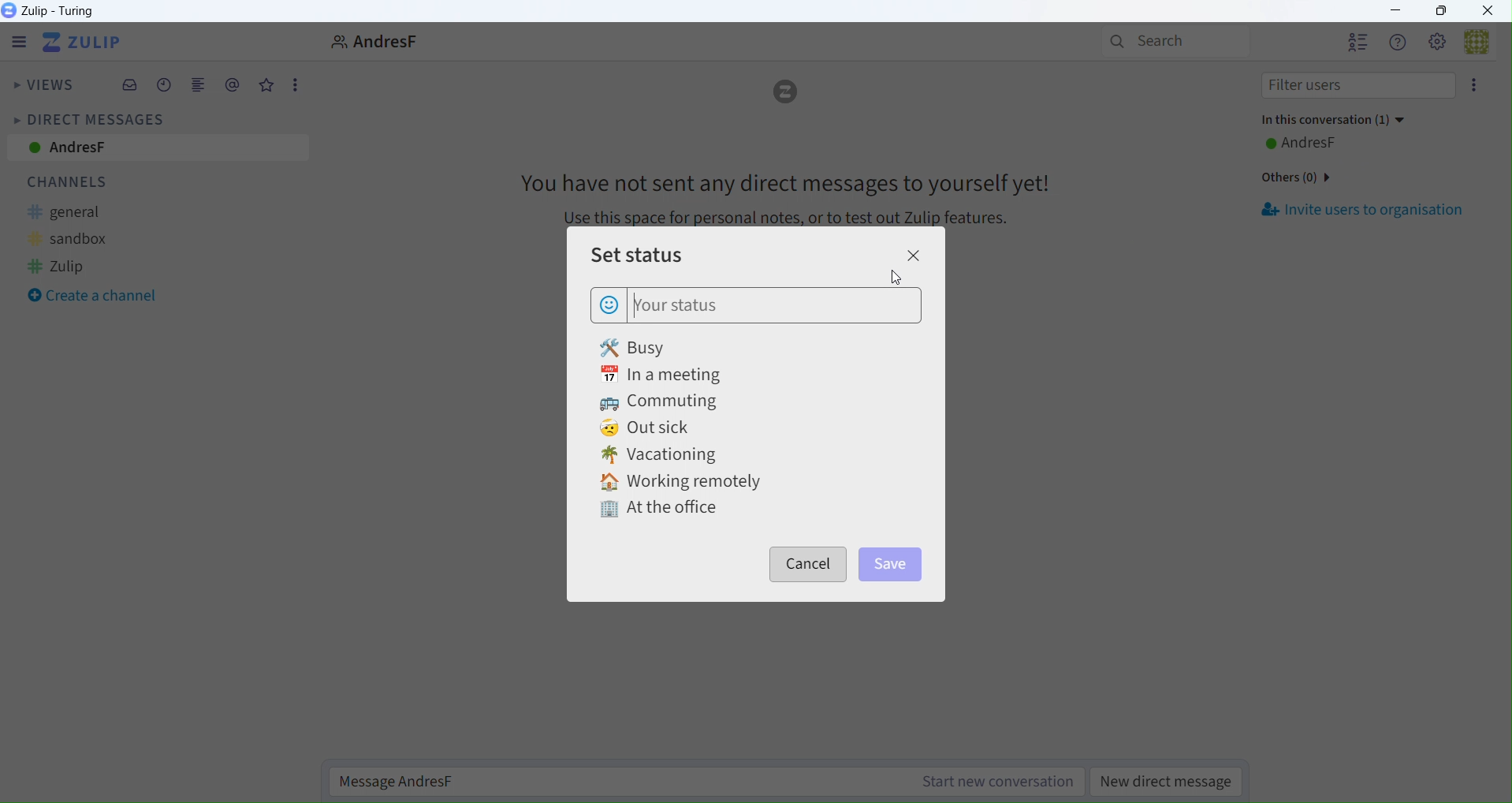 Image resolution: width=1512 pixels, height=803 pixels. I want to click on Views, so click(43, 87).